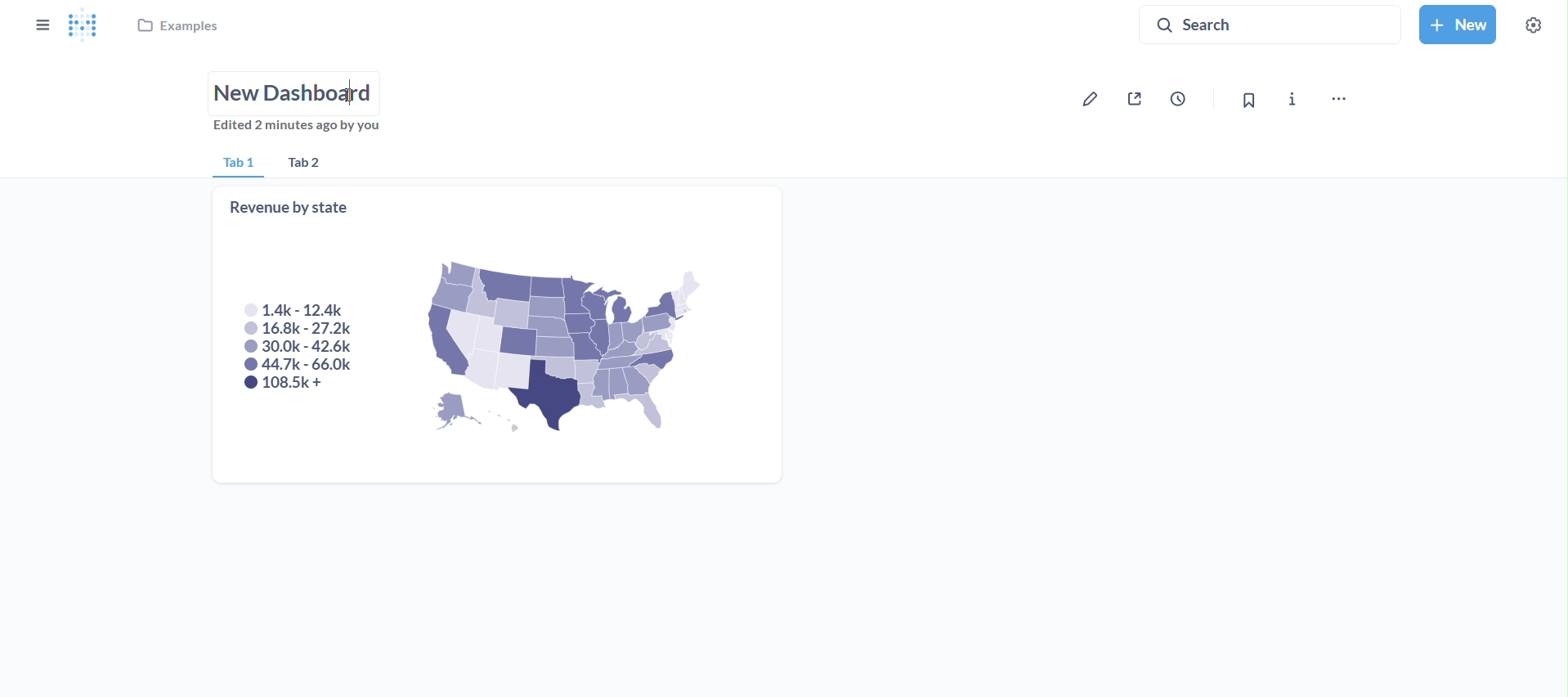  Describe the element at coordinates (1269, 25) in the screenshot. I see `search` at that location.